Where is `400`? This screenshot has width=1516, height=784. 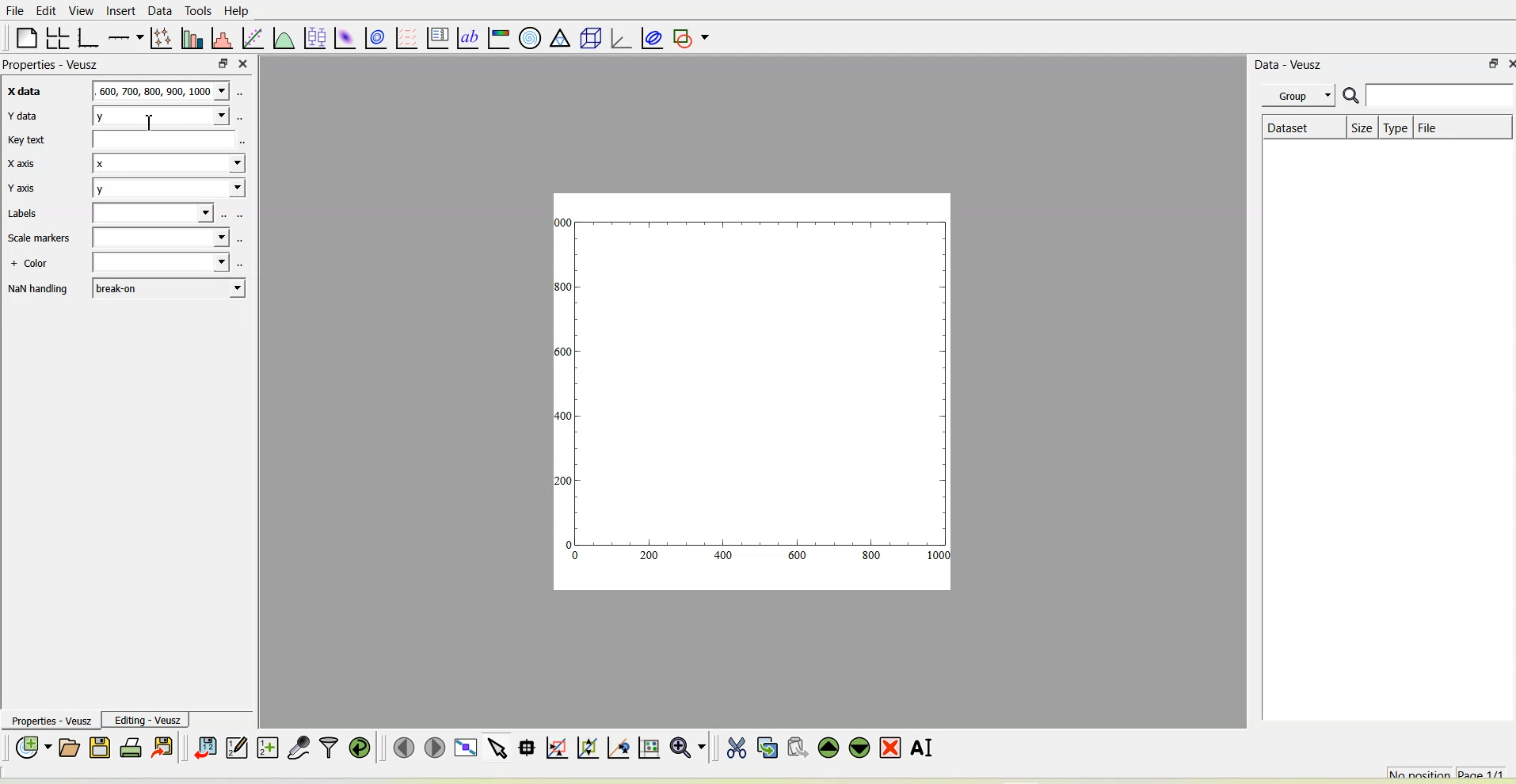 400 is located at coordinates (722, 557).